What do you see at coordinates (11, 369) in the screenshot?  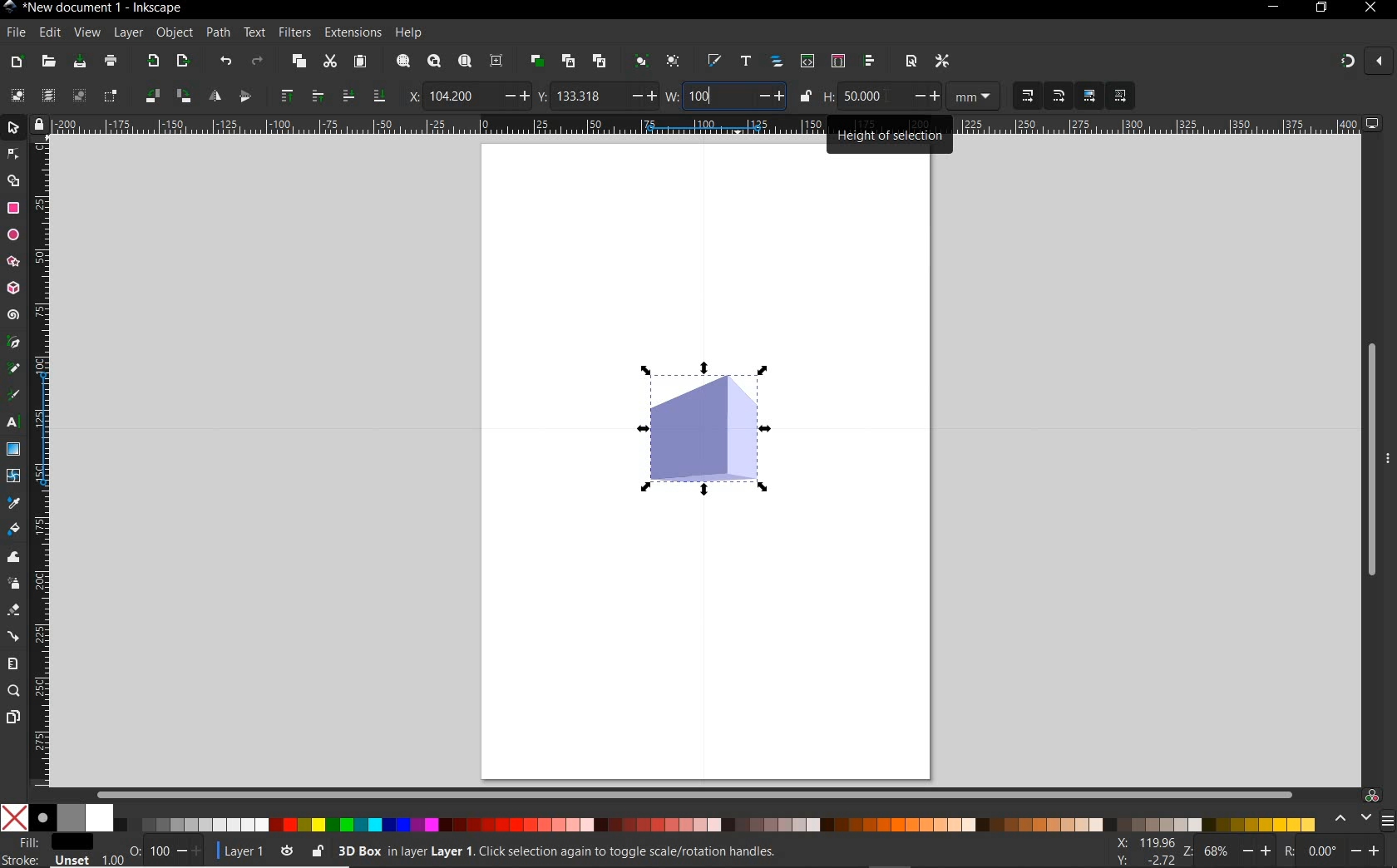 I see `pencil tool` at bounding box center [11, 369].